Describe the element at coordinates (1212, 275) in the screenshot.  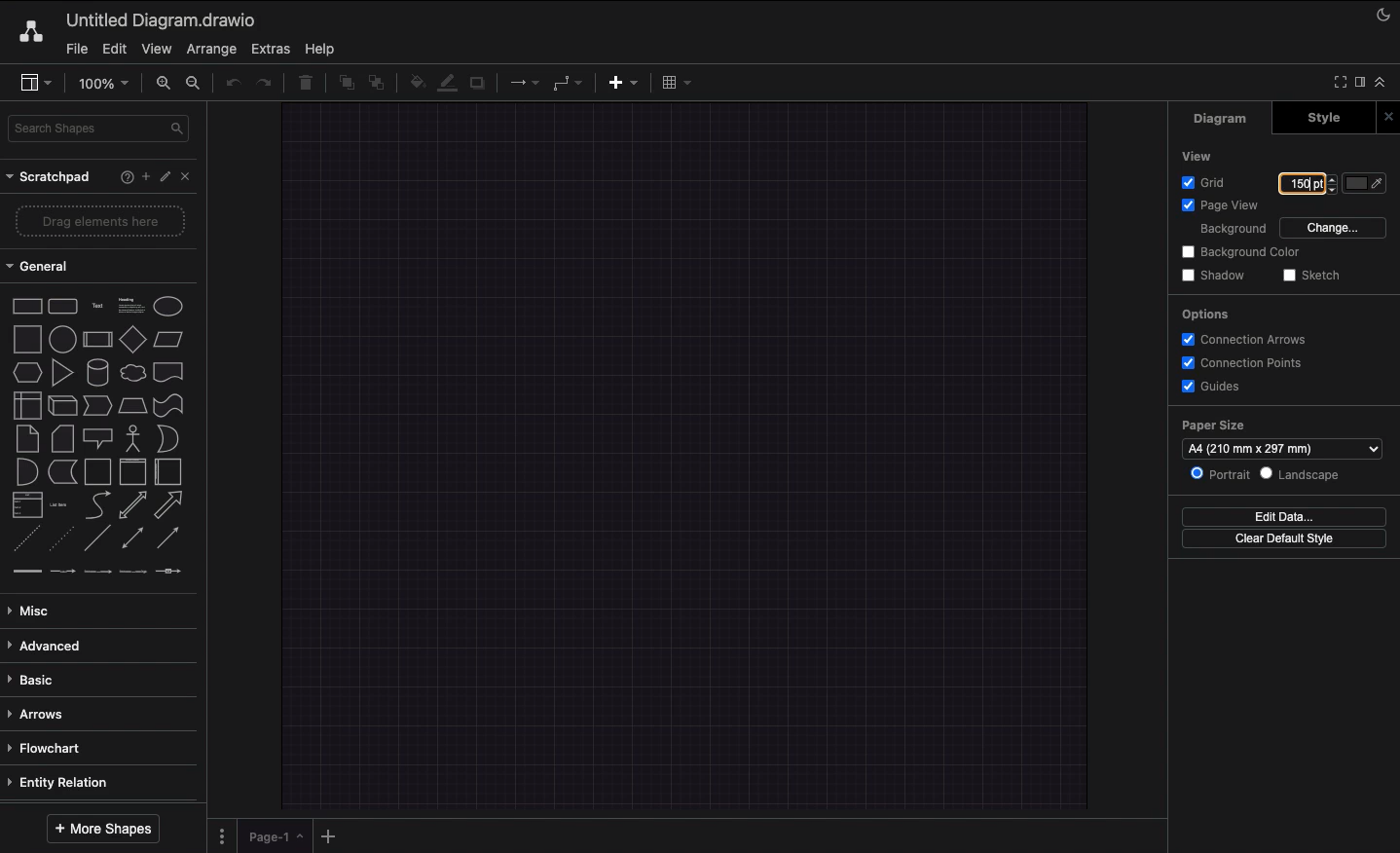
I see `Shadow` at that location.